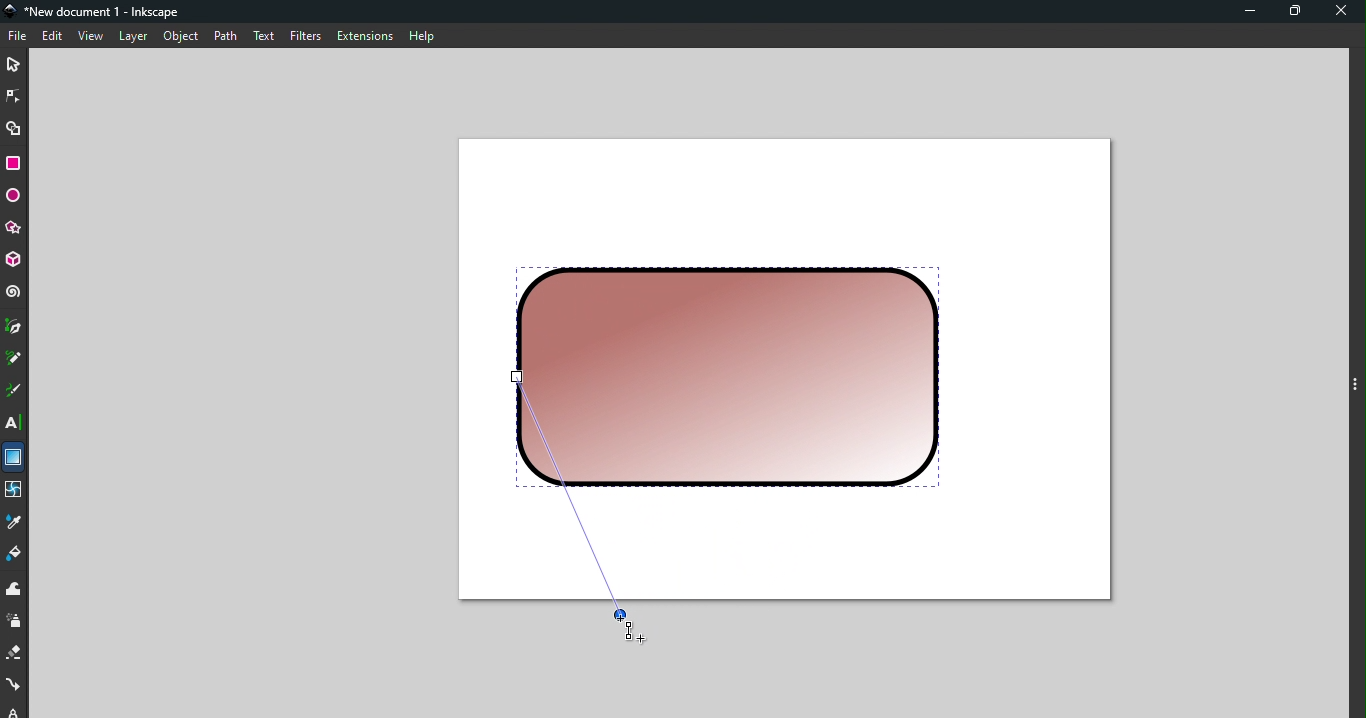 This screenshot has height=718, width=1366. Describe the element at coordinates (1299, 12) in the screenshot. I see `Maximize` at that location.